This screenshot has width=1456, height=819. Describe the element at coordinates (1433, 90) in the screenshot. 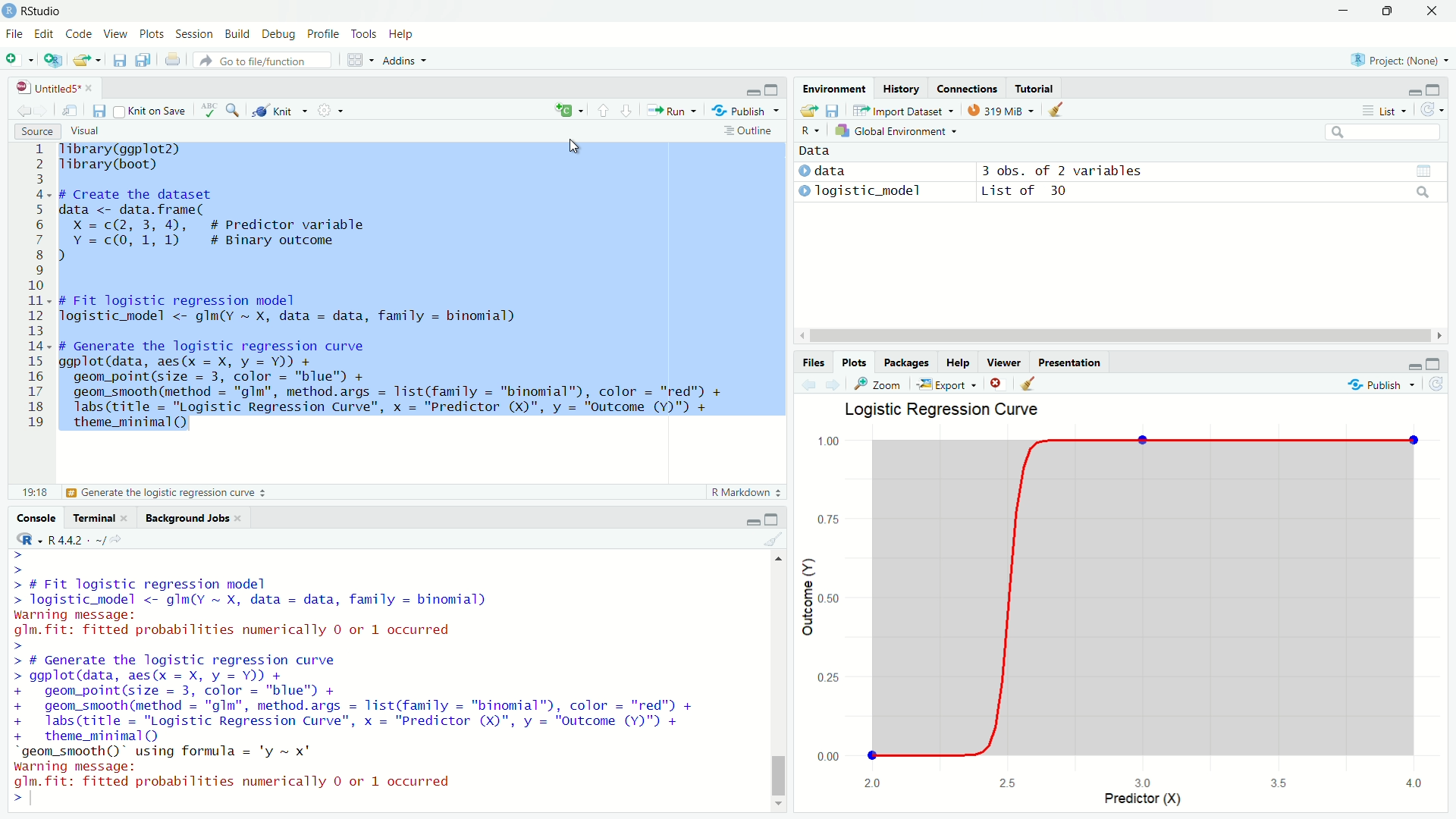

I see `maximize` at that location.